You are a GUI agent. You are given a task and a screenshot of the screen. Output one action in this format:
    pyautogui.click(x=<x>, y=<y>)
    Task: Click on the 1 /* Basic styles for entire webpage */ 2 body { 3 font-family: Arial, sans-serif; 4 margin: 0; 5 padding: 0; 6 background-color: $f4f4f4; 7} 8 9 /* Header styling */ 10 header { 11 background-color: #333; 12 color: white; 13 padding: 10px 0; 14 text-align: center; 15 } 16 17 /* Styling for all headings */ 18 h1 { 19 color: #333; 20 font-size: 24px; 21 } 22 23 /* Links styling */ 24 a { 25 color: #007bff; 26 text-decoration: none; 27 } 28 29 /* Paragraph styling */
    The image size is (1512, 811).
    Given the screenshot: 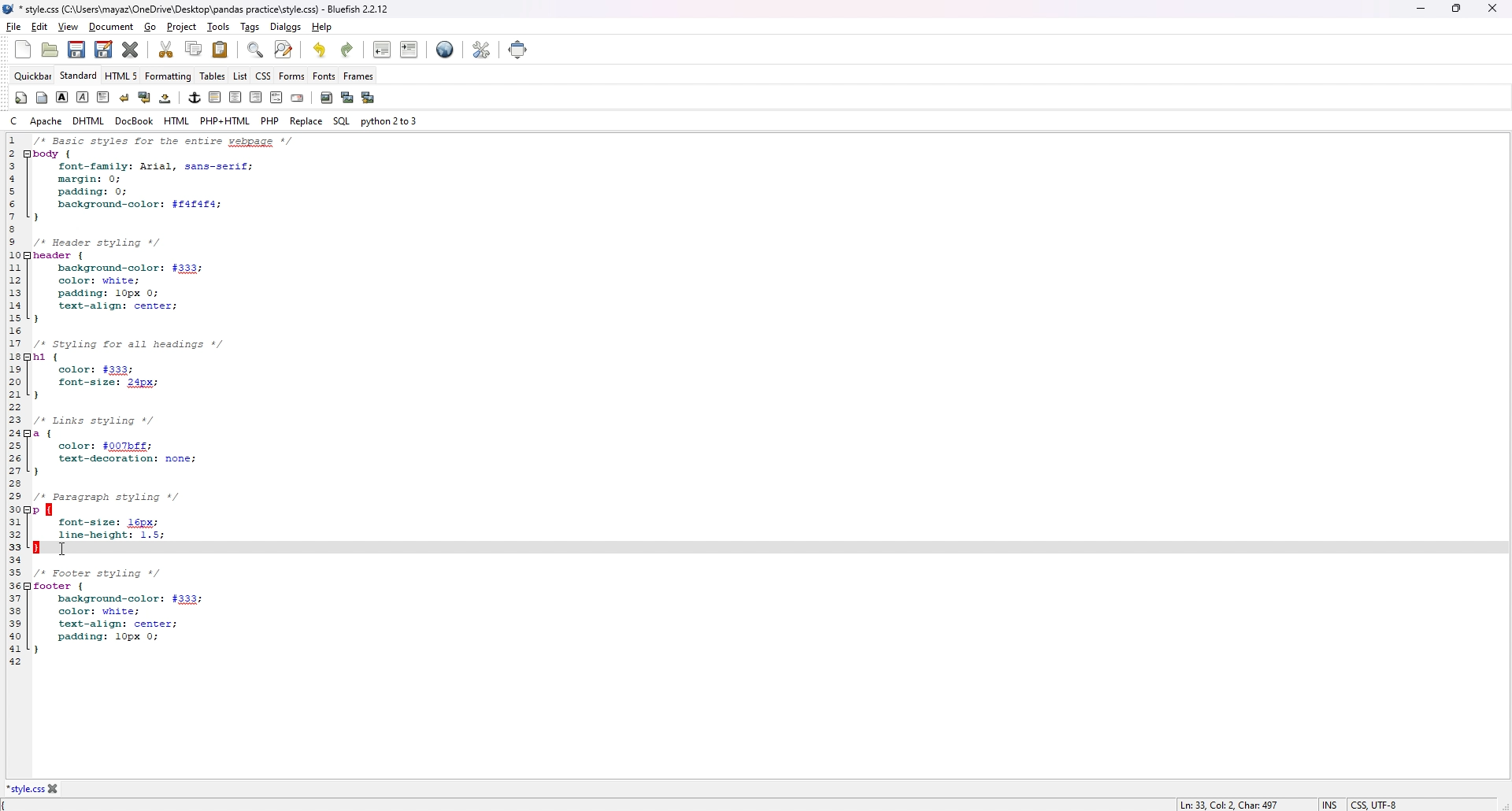 What is the action you would take?
    pyautogui.click(x=152, y=317)
    